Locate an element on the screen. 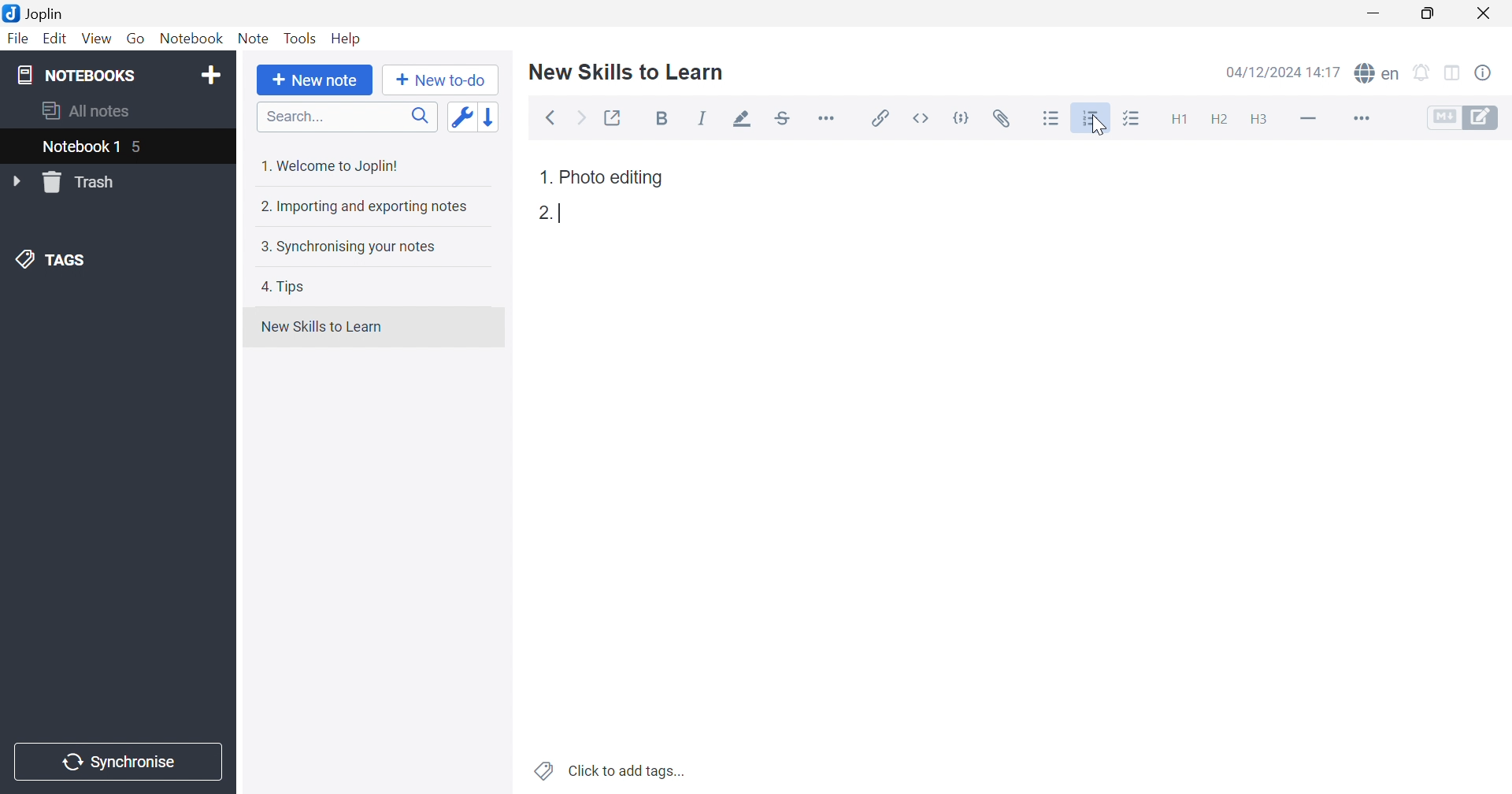  Notebook is located at coordinates (190, 39).